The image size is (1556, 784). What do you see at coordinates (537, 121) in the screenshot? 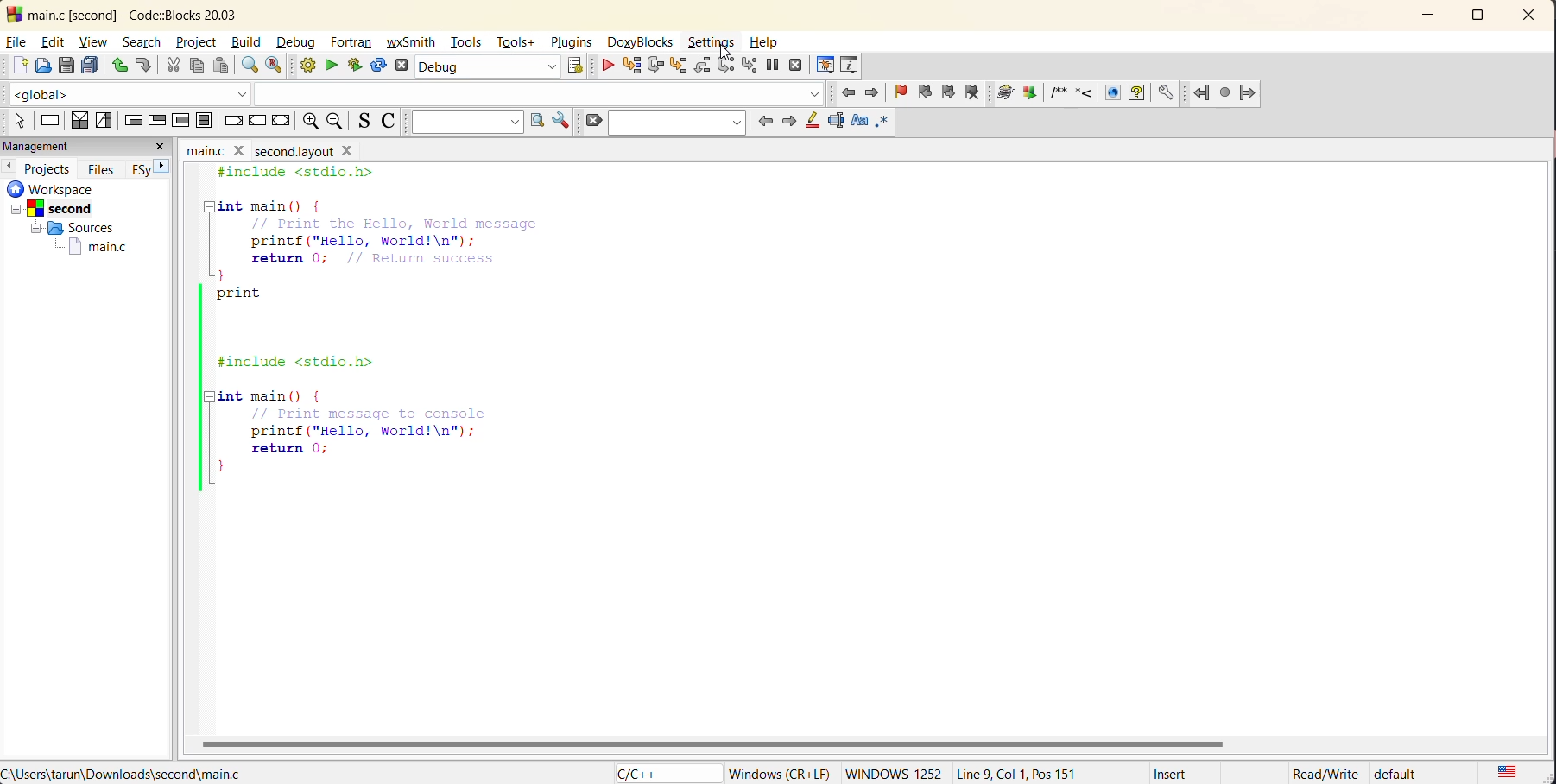
I see `run search` at bounding box center [537, 121].